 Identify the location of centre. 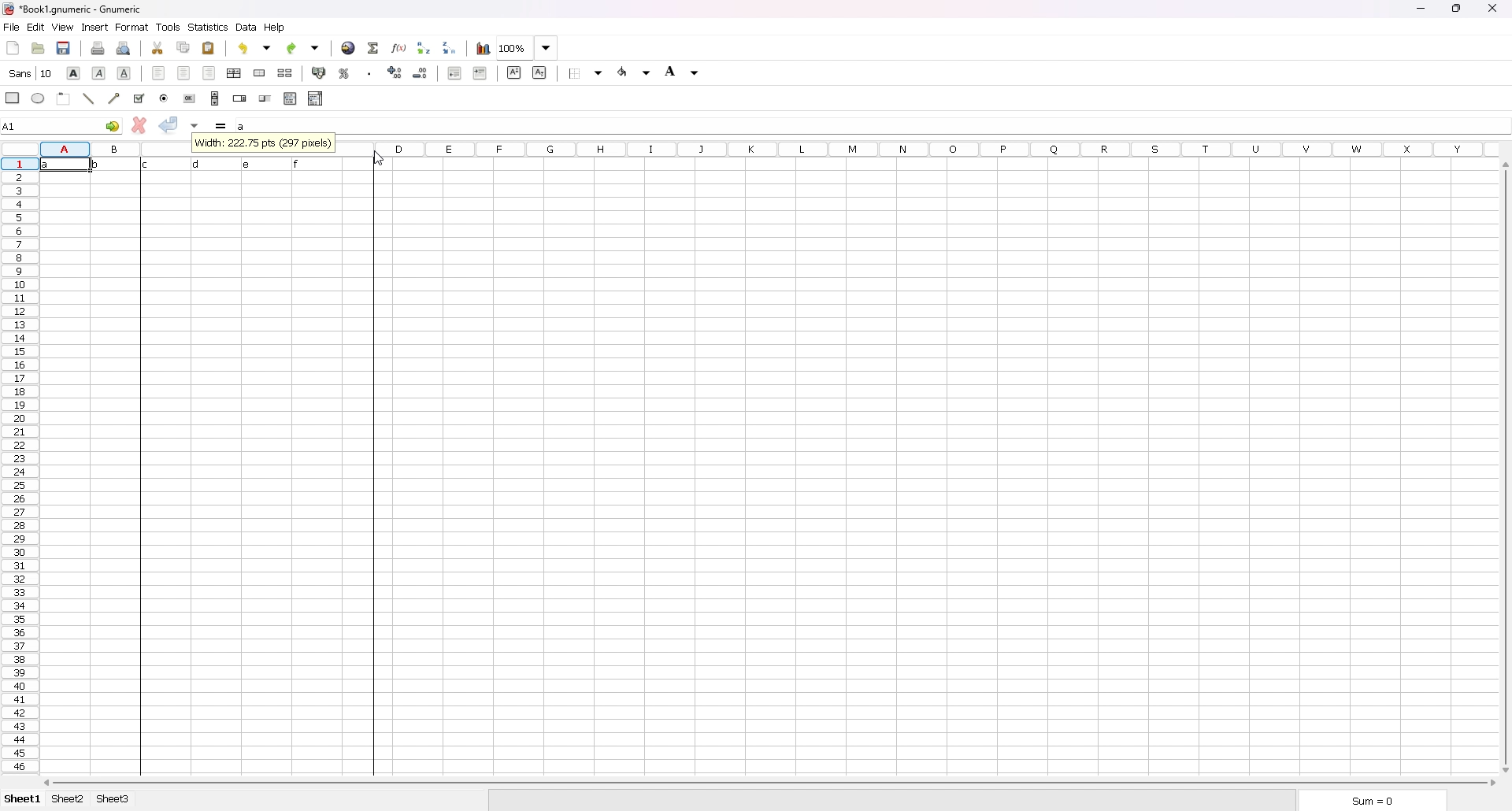
(183, 72).